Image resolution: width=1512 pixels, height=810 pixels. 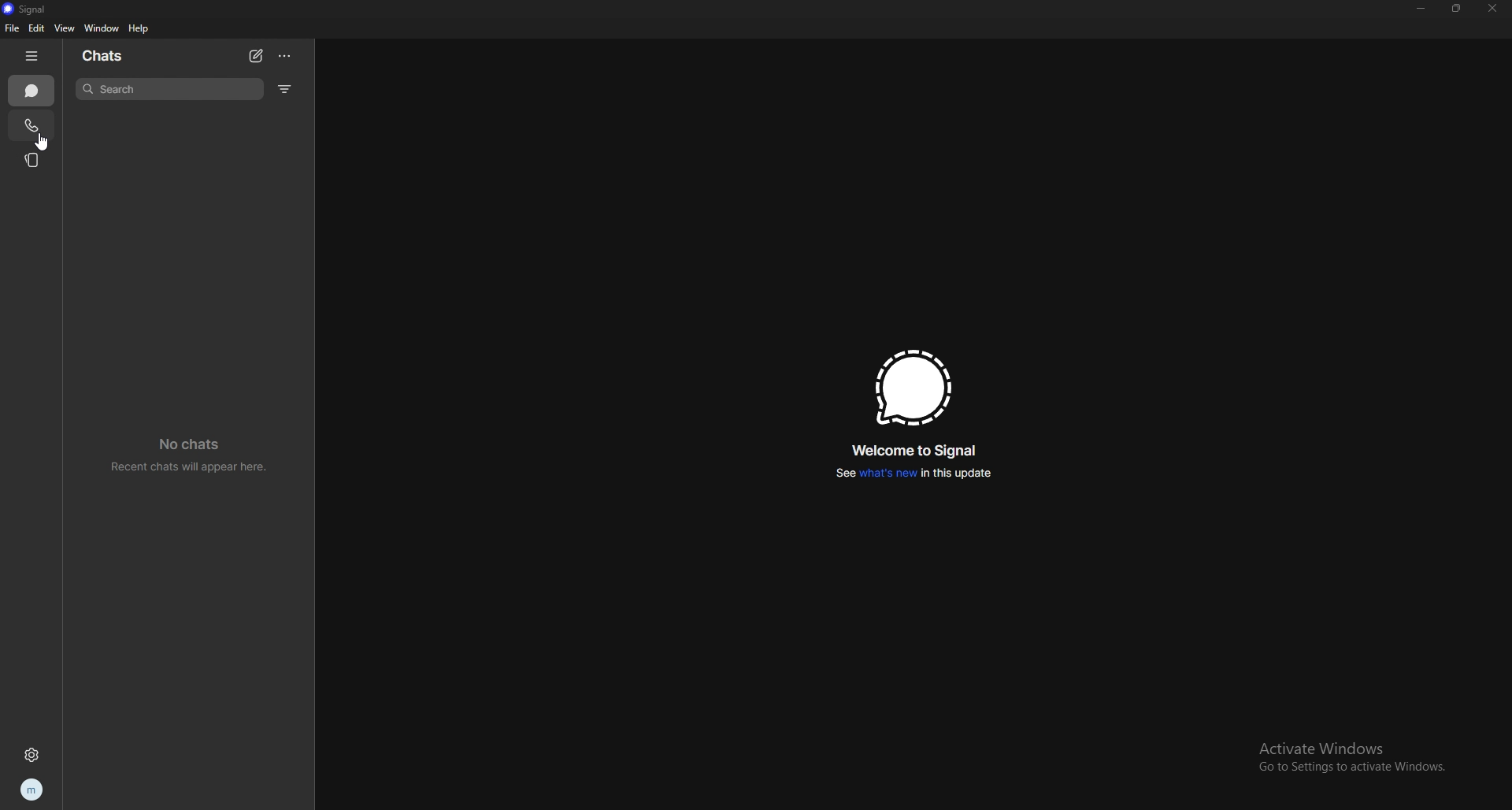 I want to click on options, so click(x=284, y=55).